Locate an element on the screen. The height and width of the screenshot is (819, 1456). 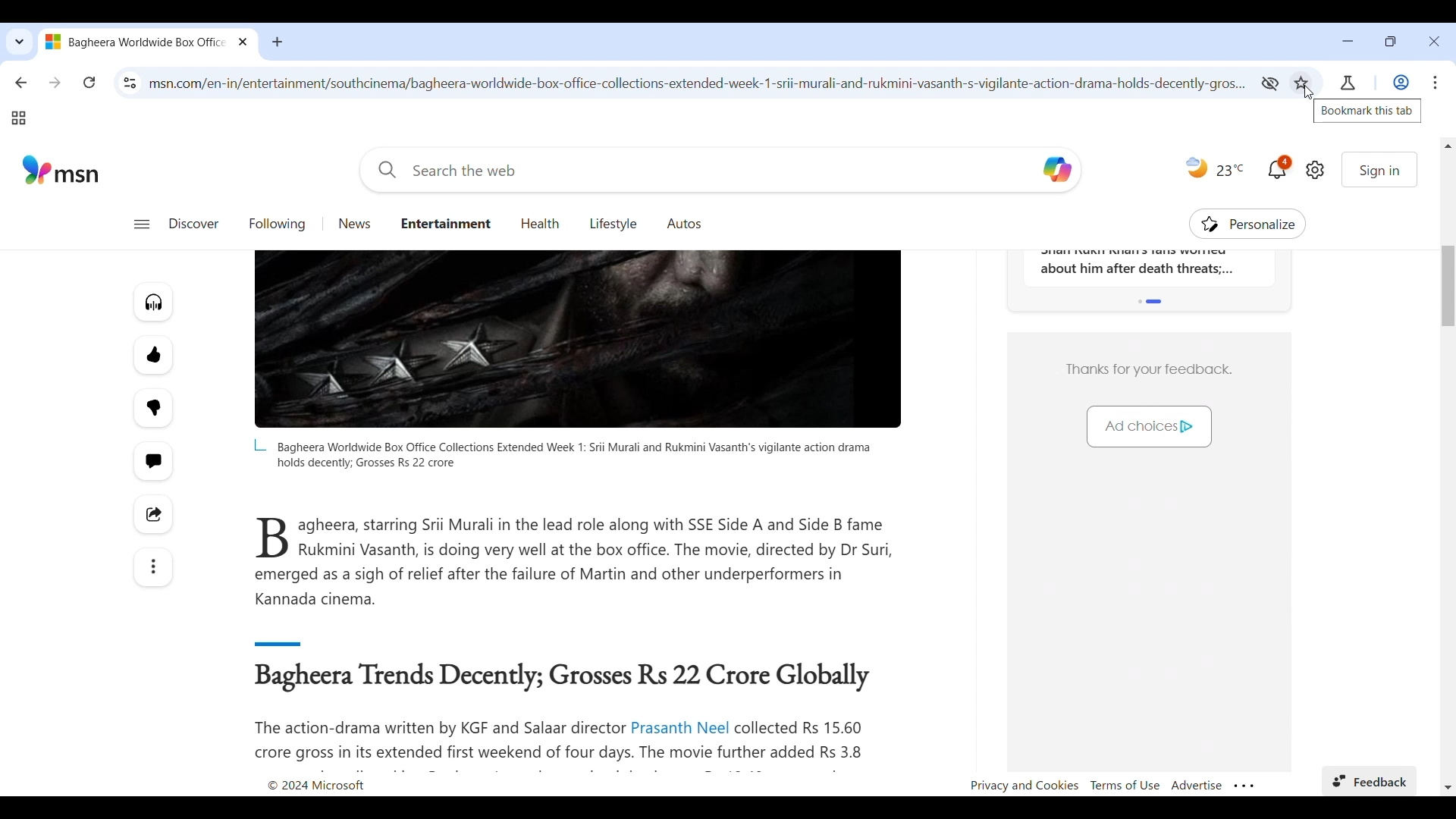
Privacy and cookies is located at coordinates (1024, 786).